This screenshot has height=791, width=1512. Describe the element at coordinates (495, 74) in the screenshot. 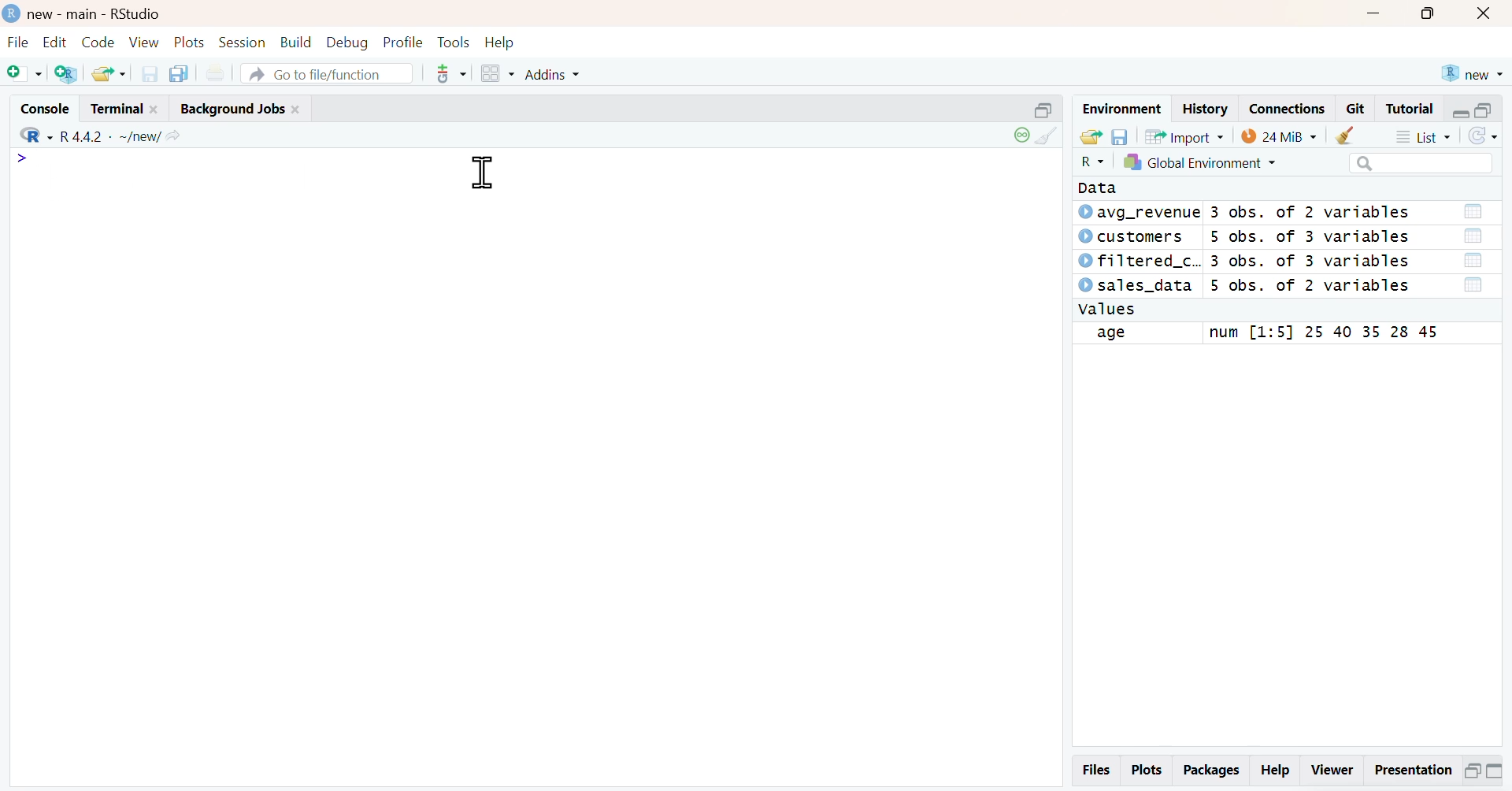

I see `Workspace panes` at that location.